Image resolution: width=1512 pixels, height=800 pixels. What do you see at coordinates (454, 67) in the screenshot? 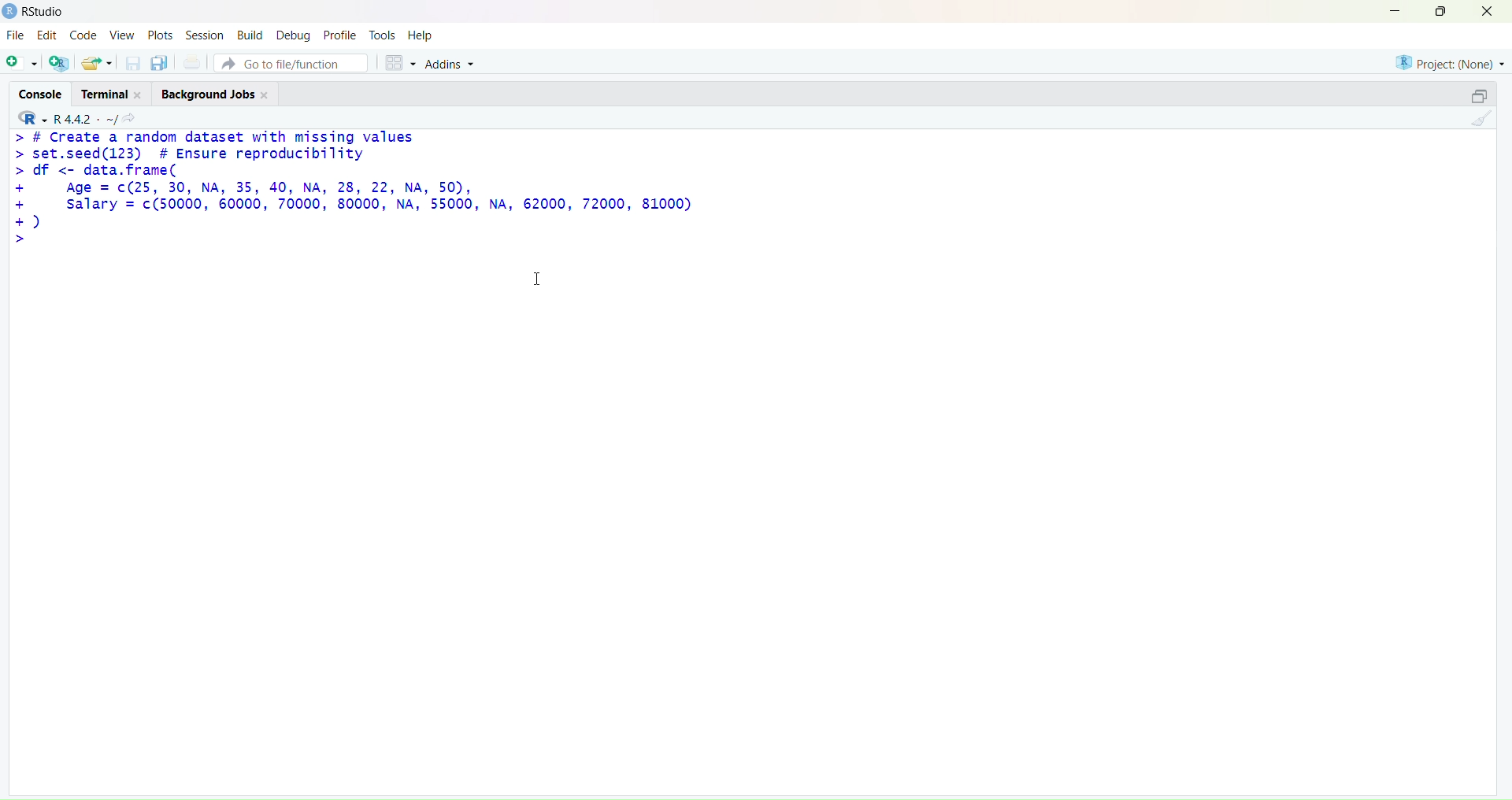
I see `addins` at bounding box center [454, 67].